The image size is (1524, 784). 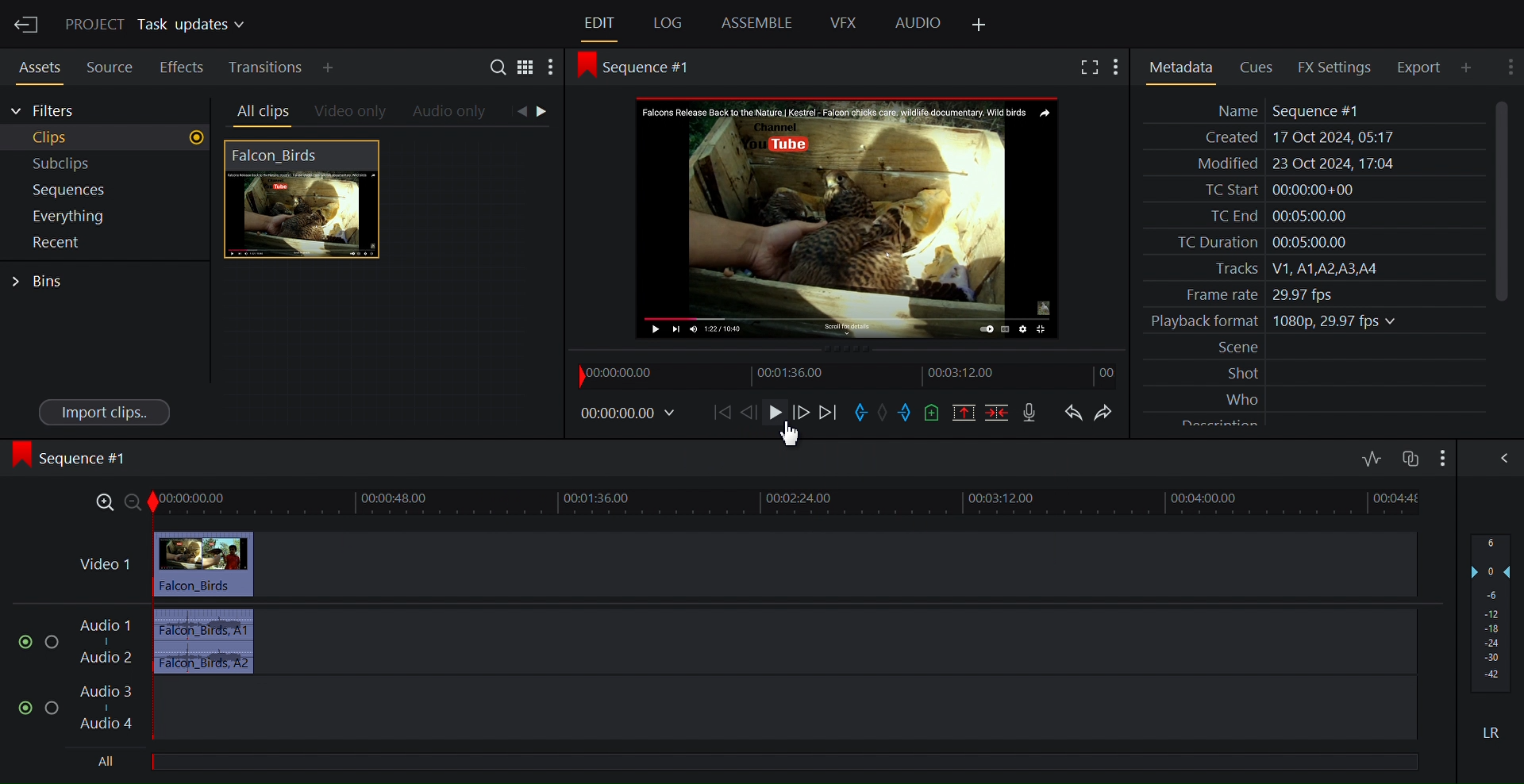 What do you see at coordinates (1312, 243) in the screenshot?
I see `TC Duration` at bounding box center [1312, 243].